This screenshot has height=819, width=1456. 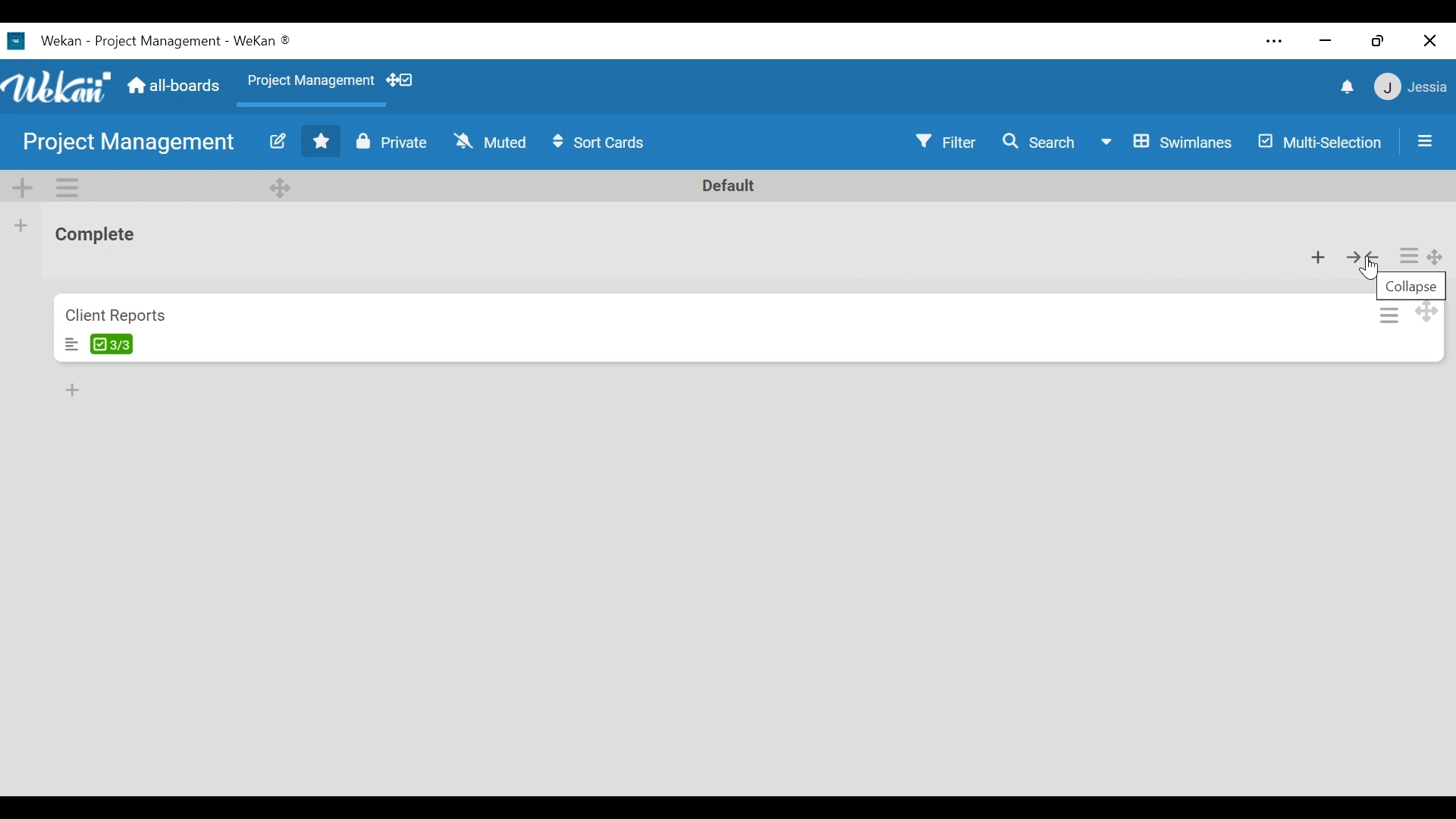 What do you see at coordinates (1043, 142) in the screenshot?
I see `Search` at bounding box center [1043, 142].